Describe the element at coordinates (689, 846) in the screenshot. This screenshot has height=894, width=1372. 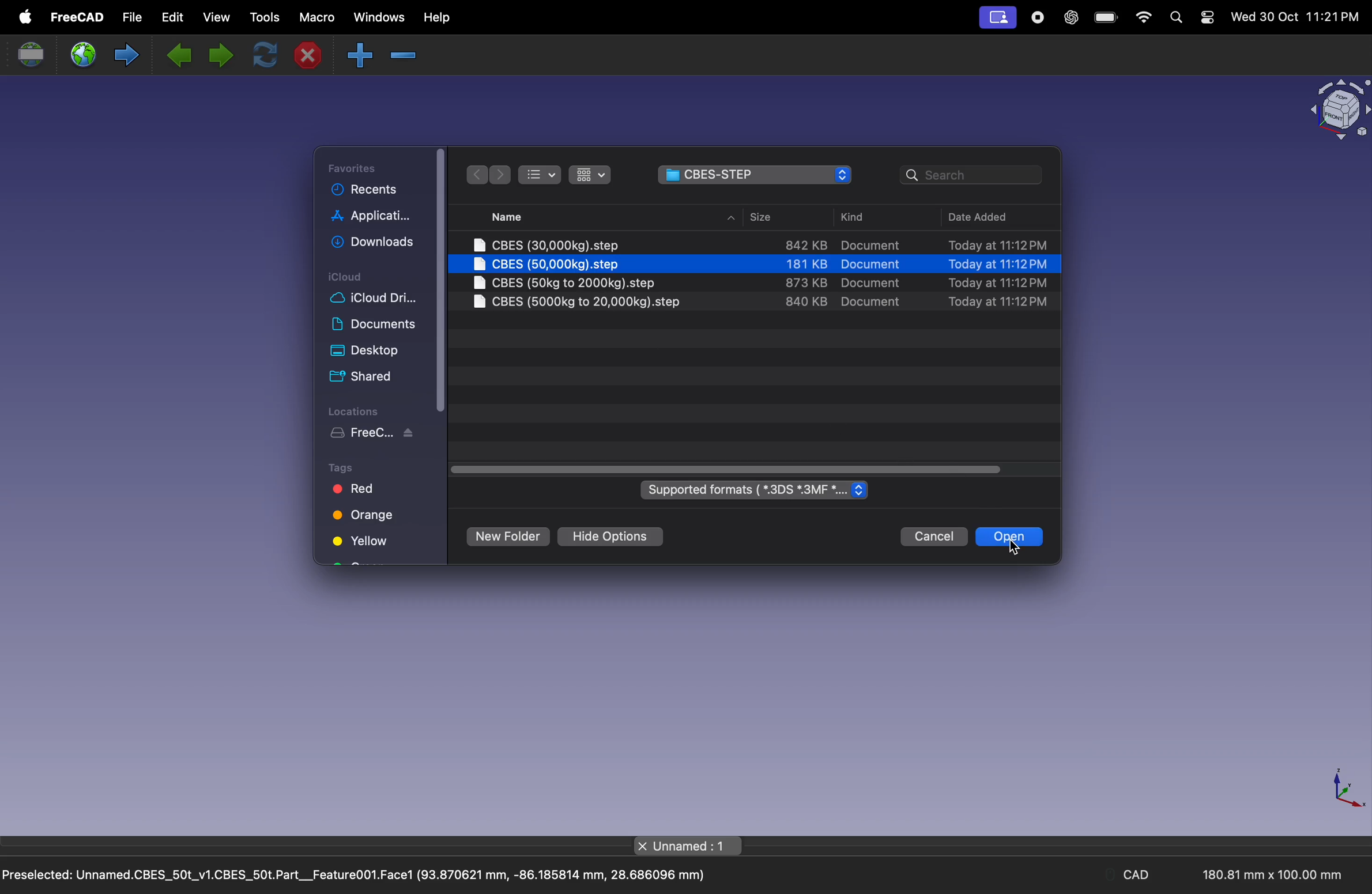
I see `page title` at that location.